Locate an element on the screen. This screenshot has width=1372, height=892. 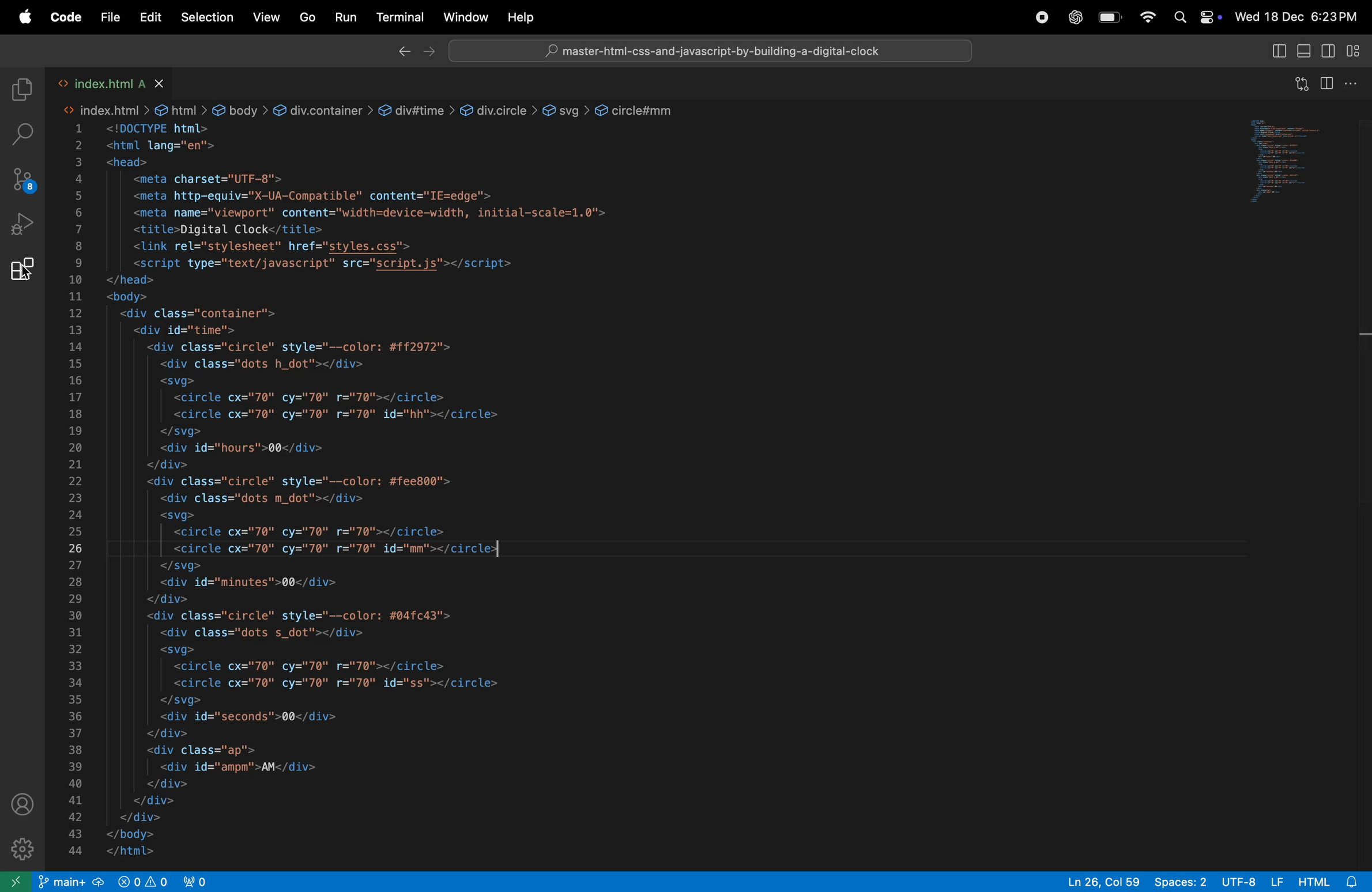
utf 8 is located at coordinates (1250, 882).